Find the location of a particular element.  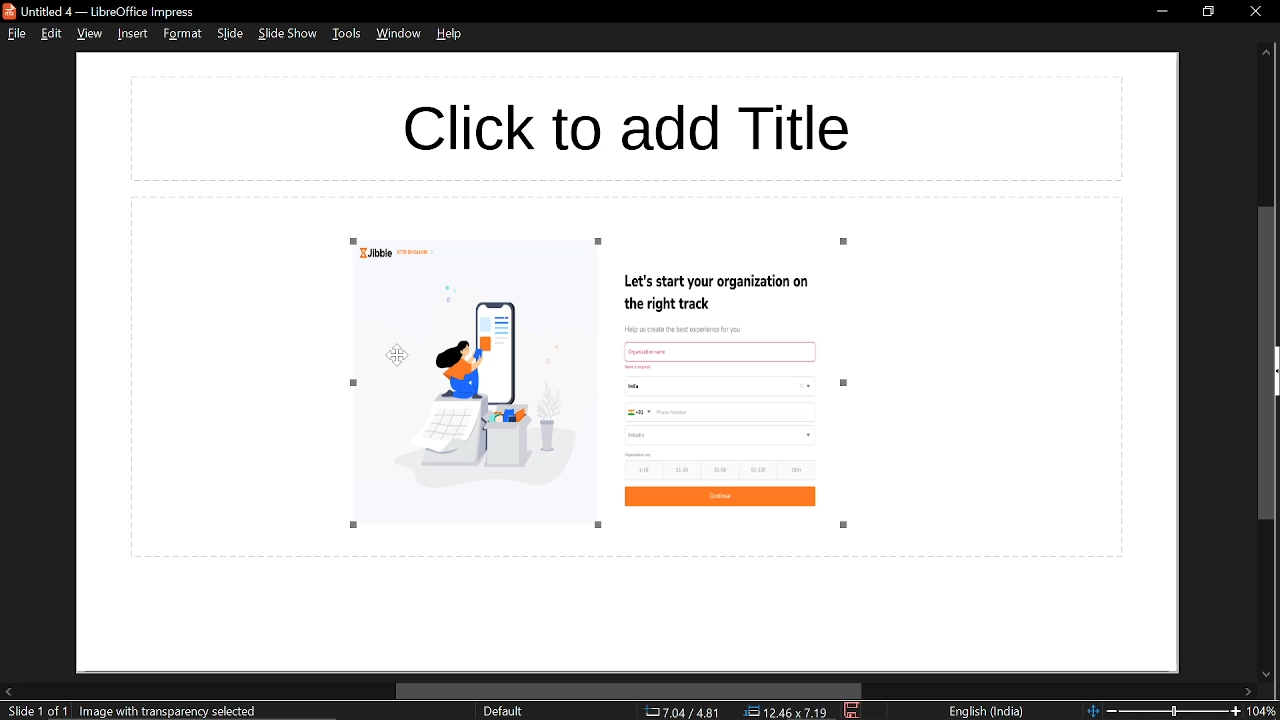

file is located at coordinates (16, 35).